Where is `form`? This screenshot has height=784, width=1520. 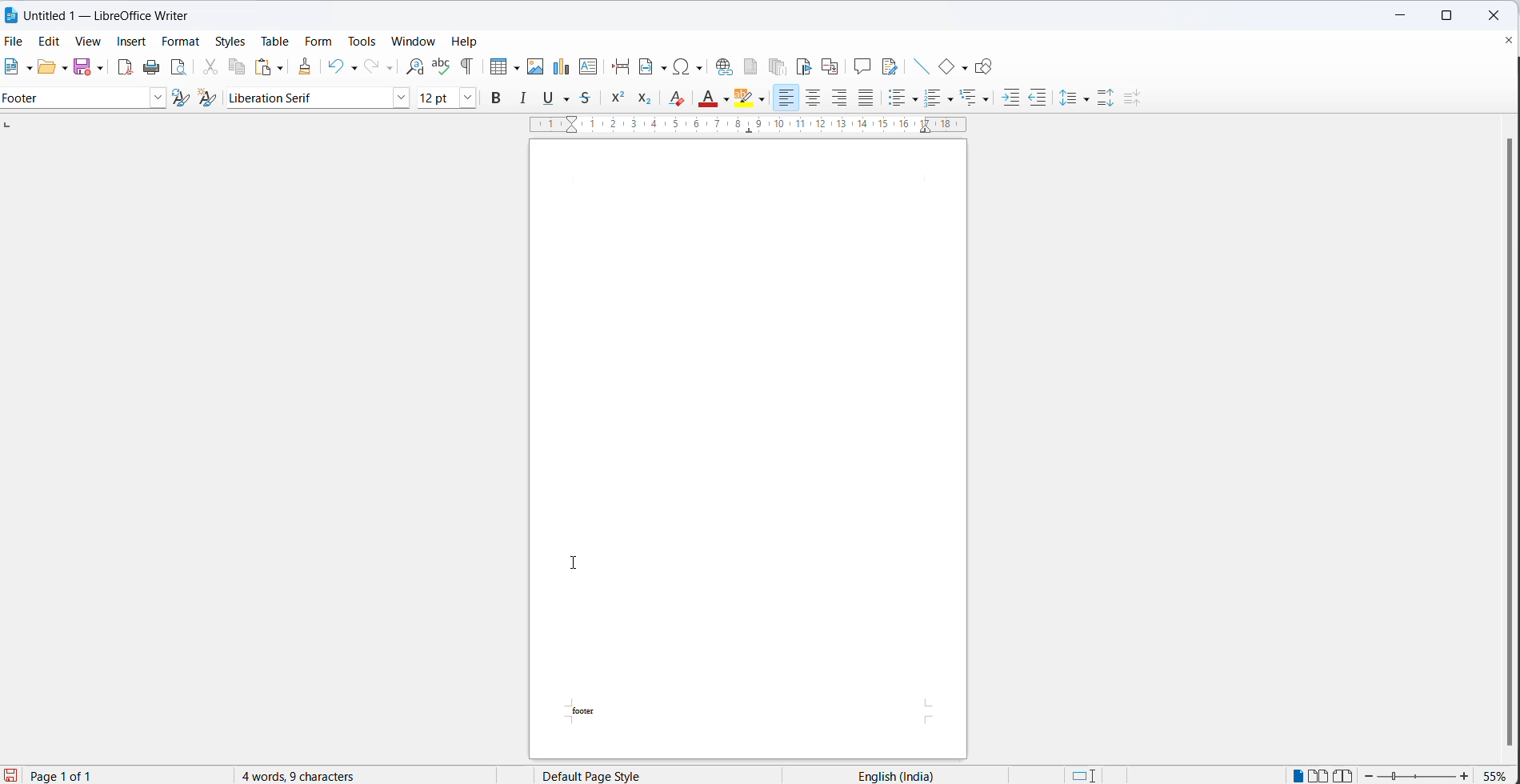
form is located at coordinates (318, 42).